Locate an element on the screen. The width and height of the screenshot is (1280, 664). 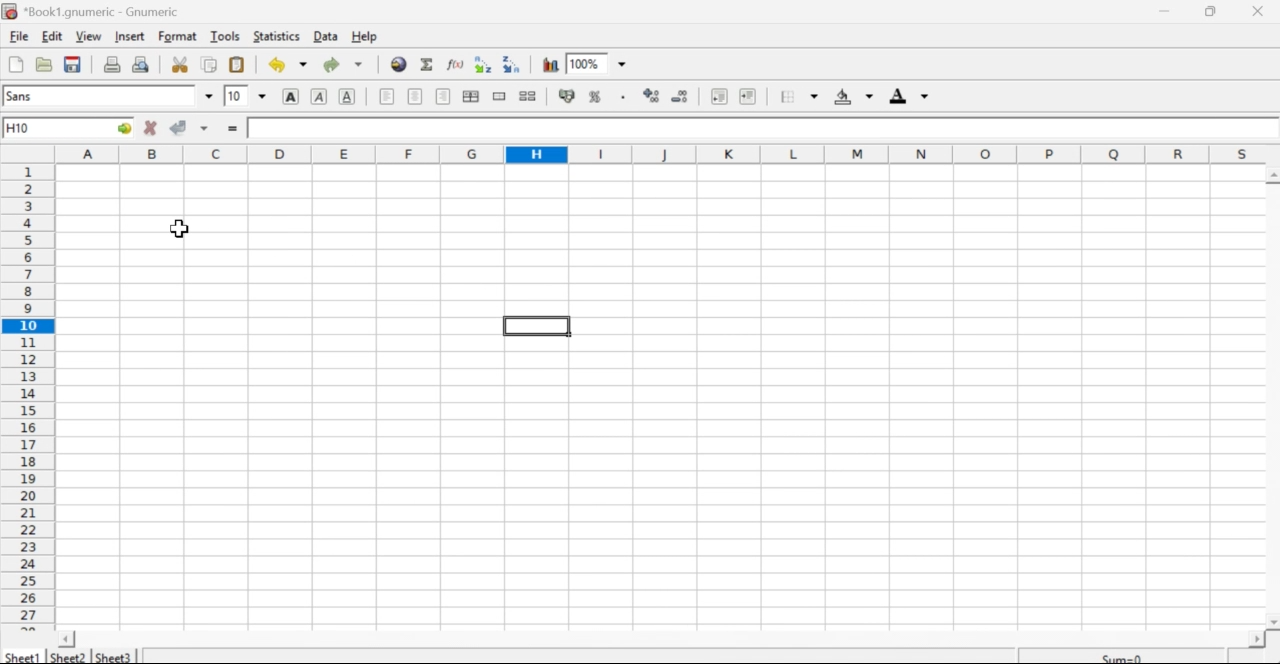
Font color is located at coordinates (910, 96).